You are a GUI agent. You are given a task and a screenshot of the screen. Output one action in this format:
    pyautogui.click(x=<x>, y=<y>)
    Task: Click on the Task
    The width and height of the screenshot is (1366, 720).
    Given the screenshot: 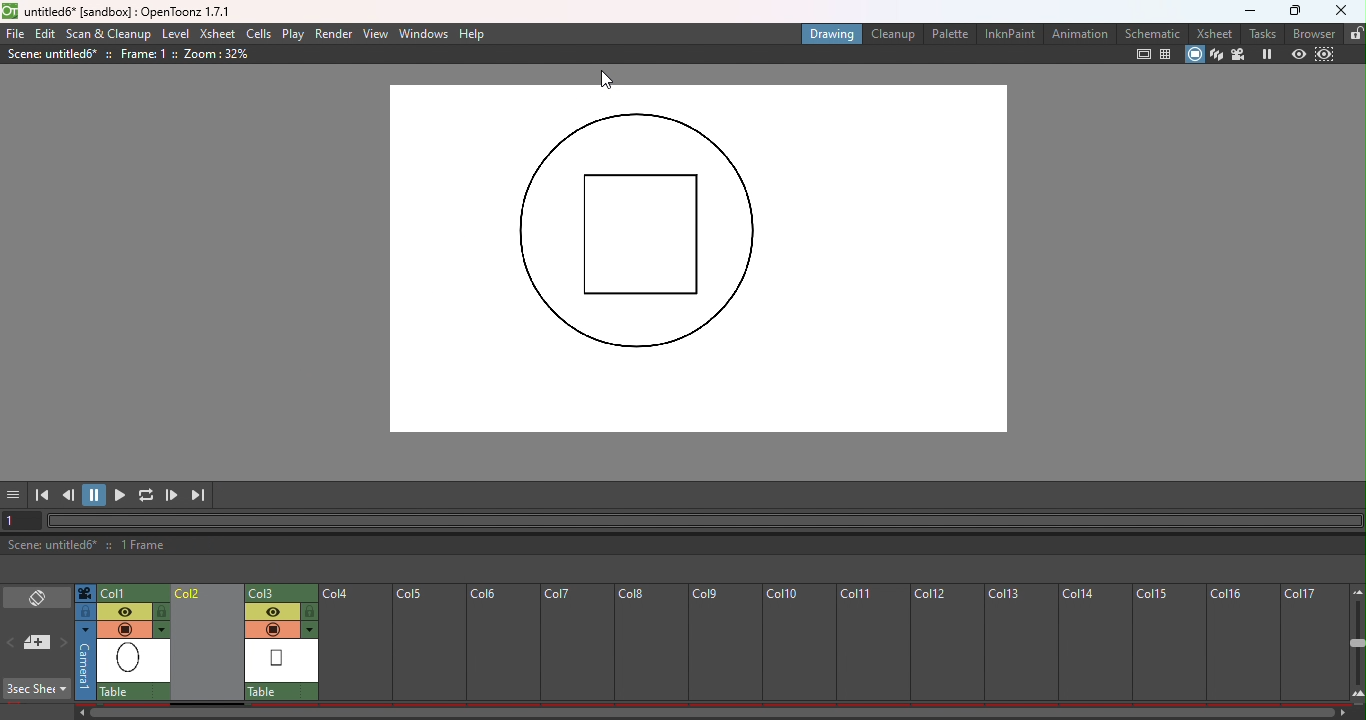 What is the action you would take?
    pyautogui.click(x=1262, y=33)
    